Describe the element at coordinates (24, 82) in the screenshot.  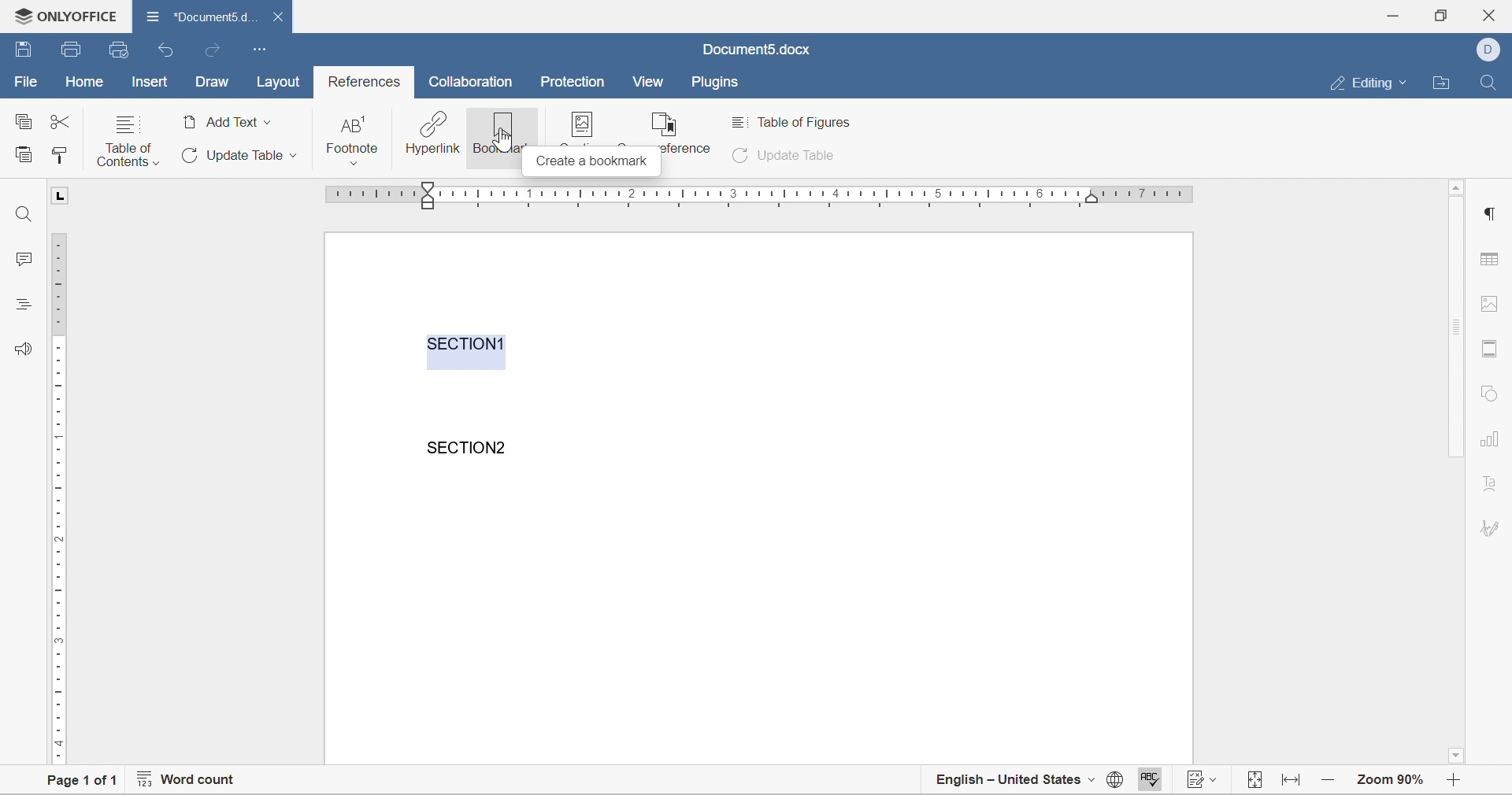
I see `file` at that location.